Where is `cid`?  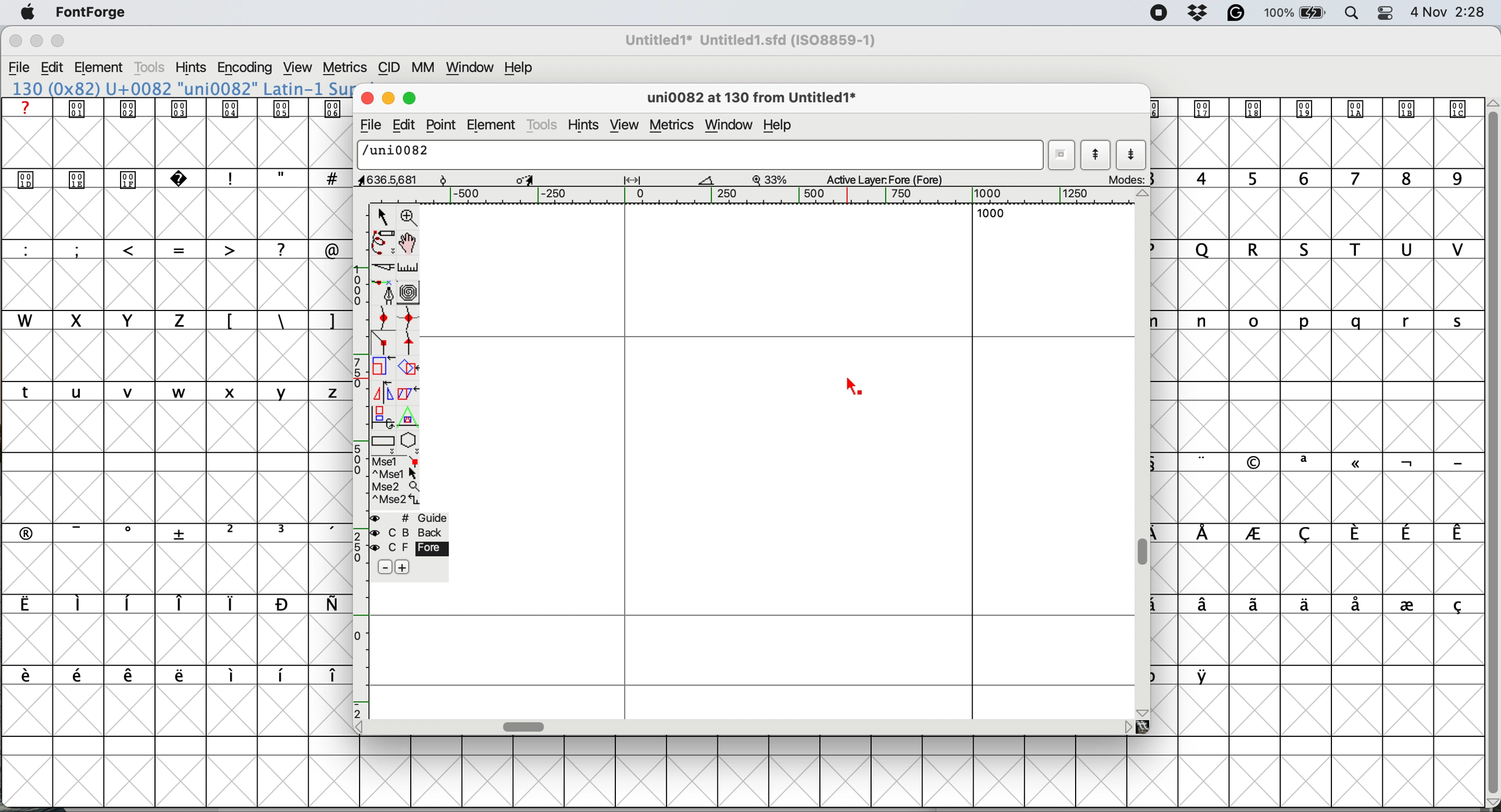 cid is located at coordinates (389, 68).